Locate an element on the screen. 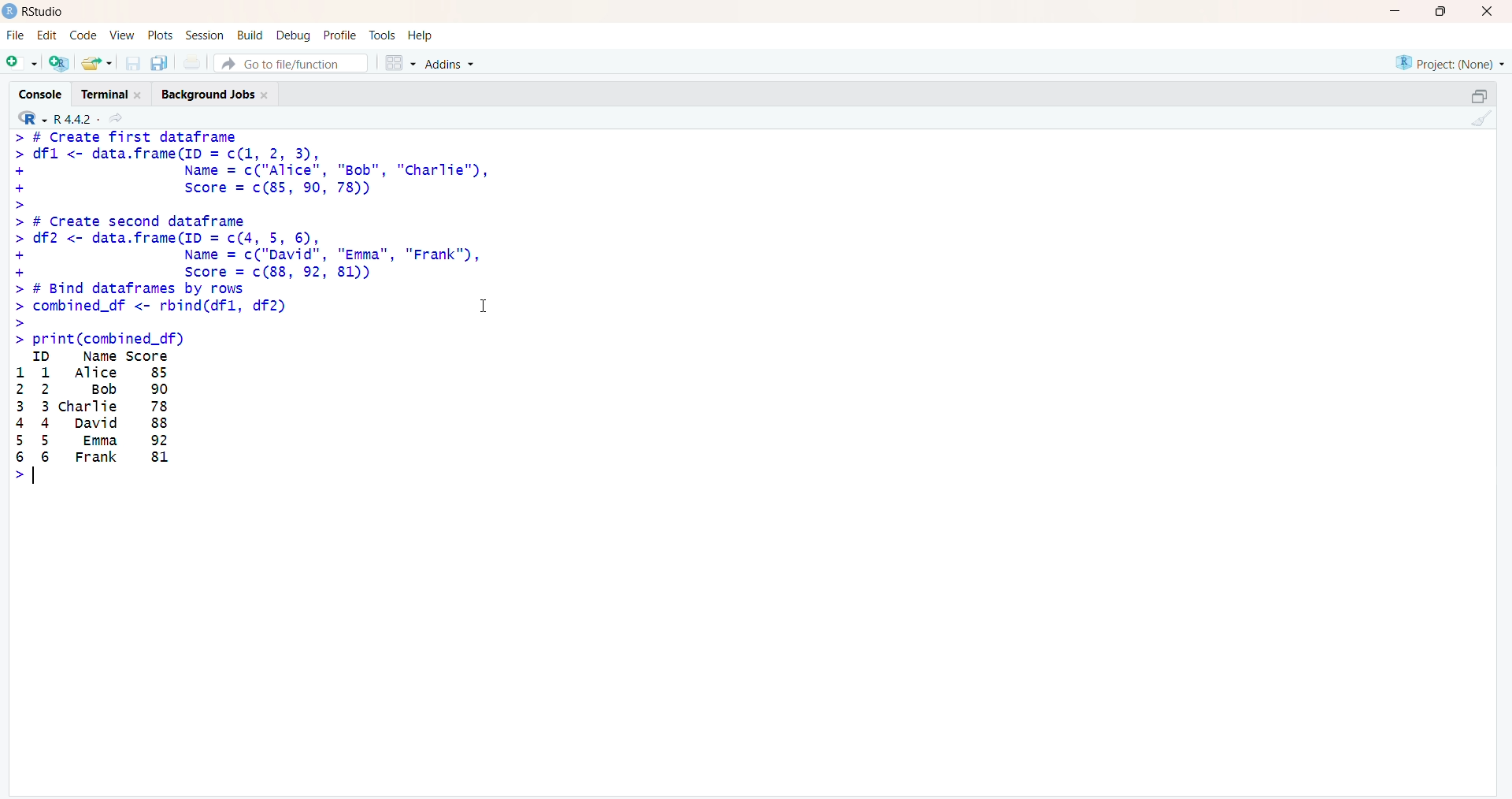  create project is located at coordinates (59, 62).